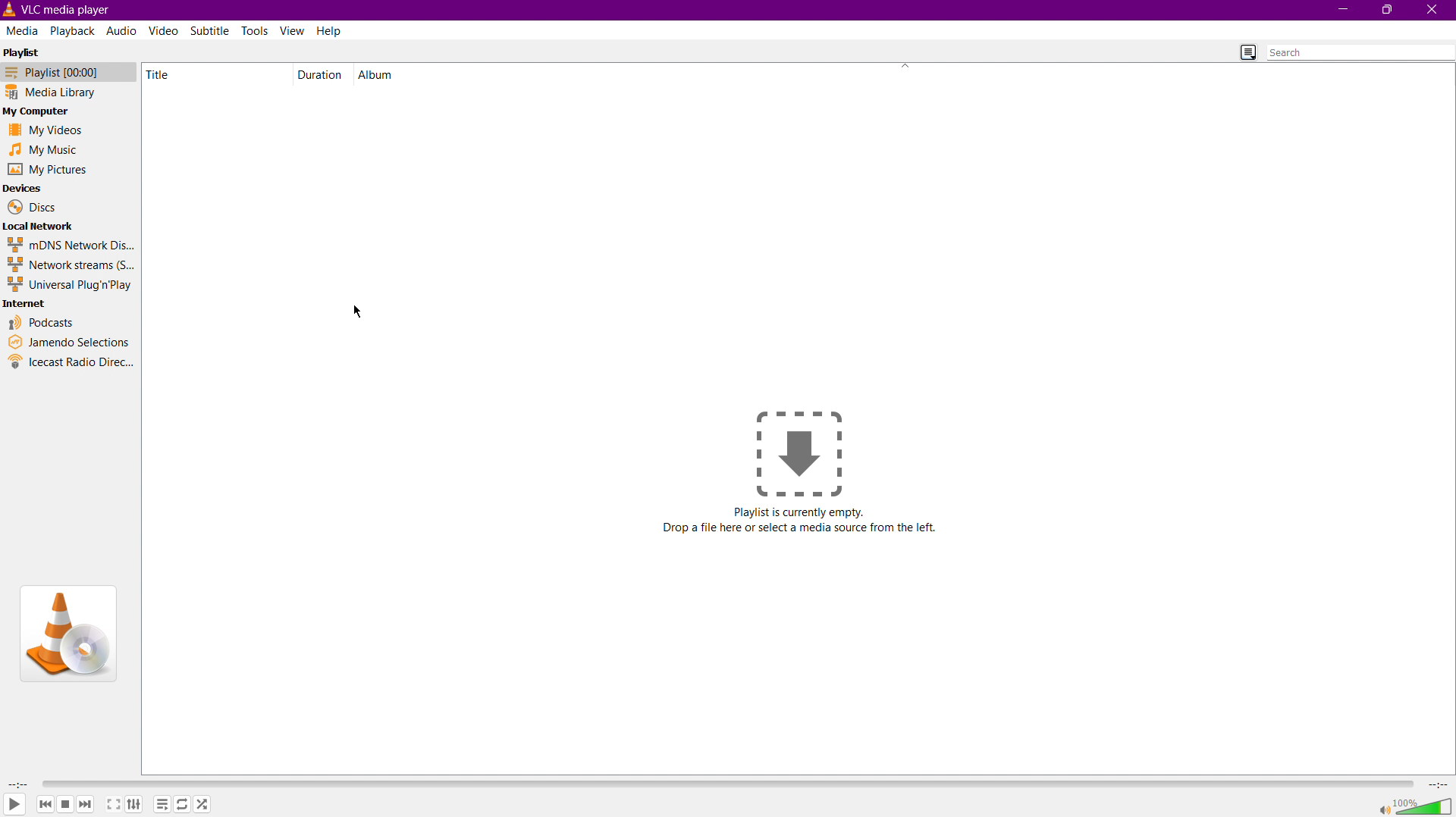 The image size is (1456, 817). What do you see at coordinates (15, 805) in the screenshot?
I see `Play` at bounding box center [15, 805].